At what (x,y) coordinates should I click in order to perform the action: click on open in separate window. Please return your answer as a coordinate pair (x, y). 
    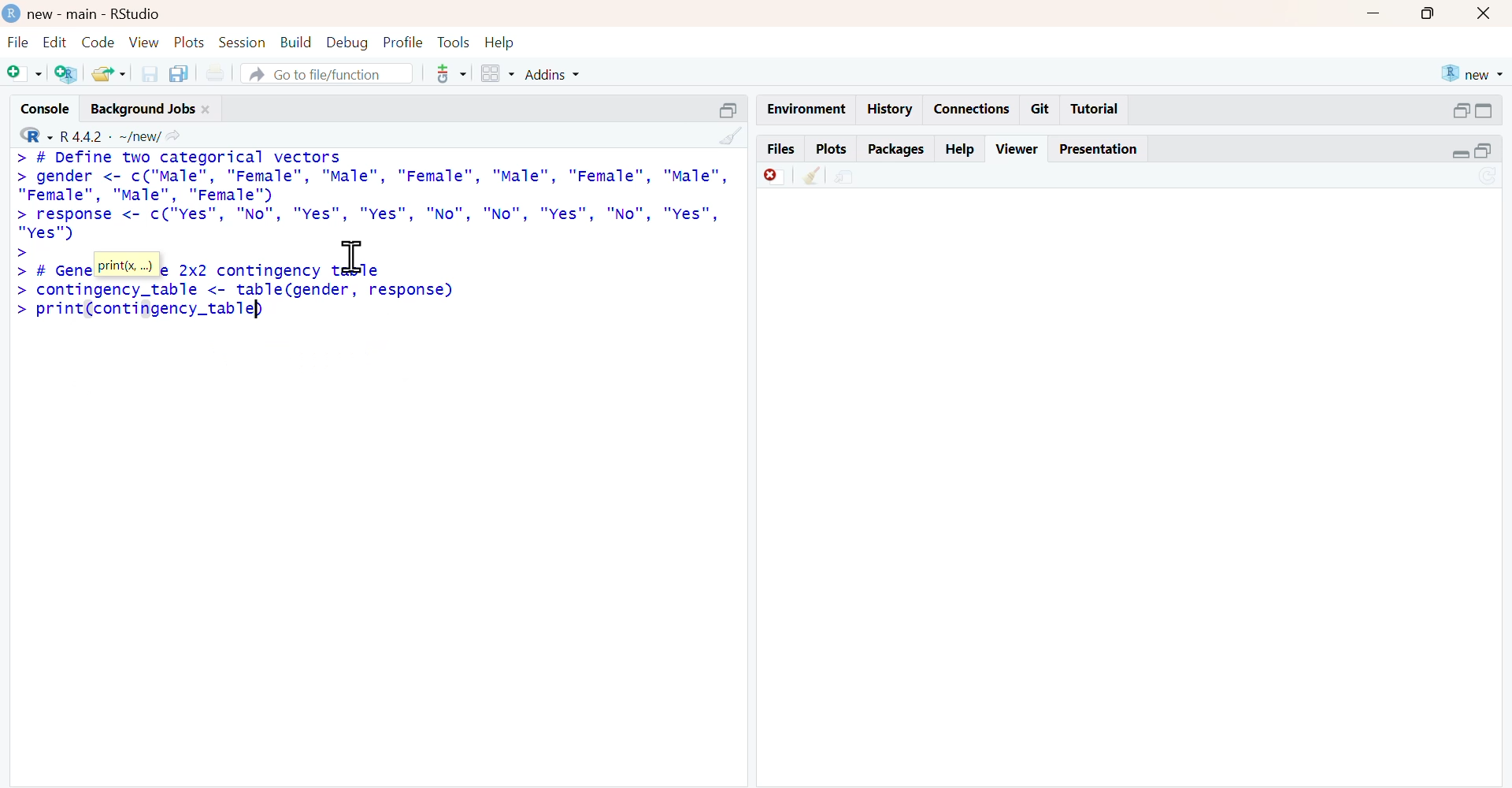
    Looking at the image, I should click on (728, 111).